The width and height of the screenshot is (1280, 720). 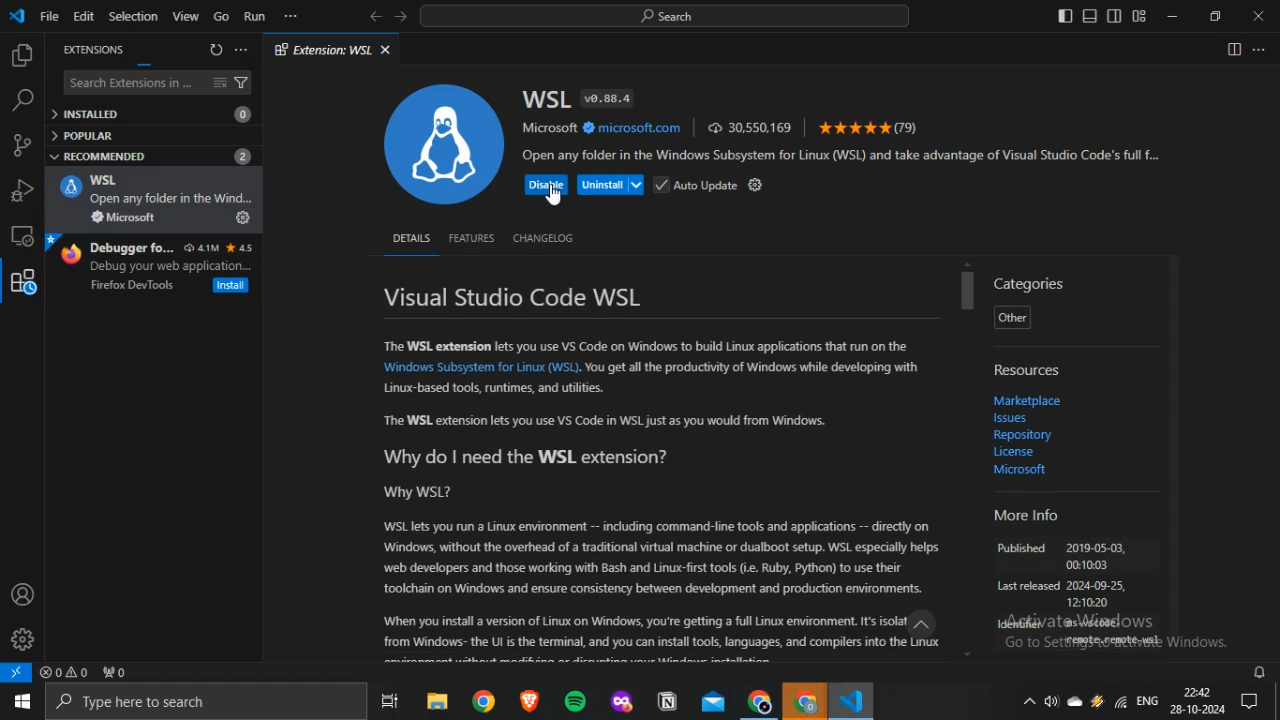 I want to click on The WSL extension lets you use VS Code on Windows to build Linux applications that run on the, so click(x=644, y=348).